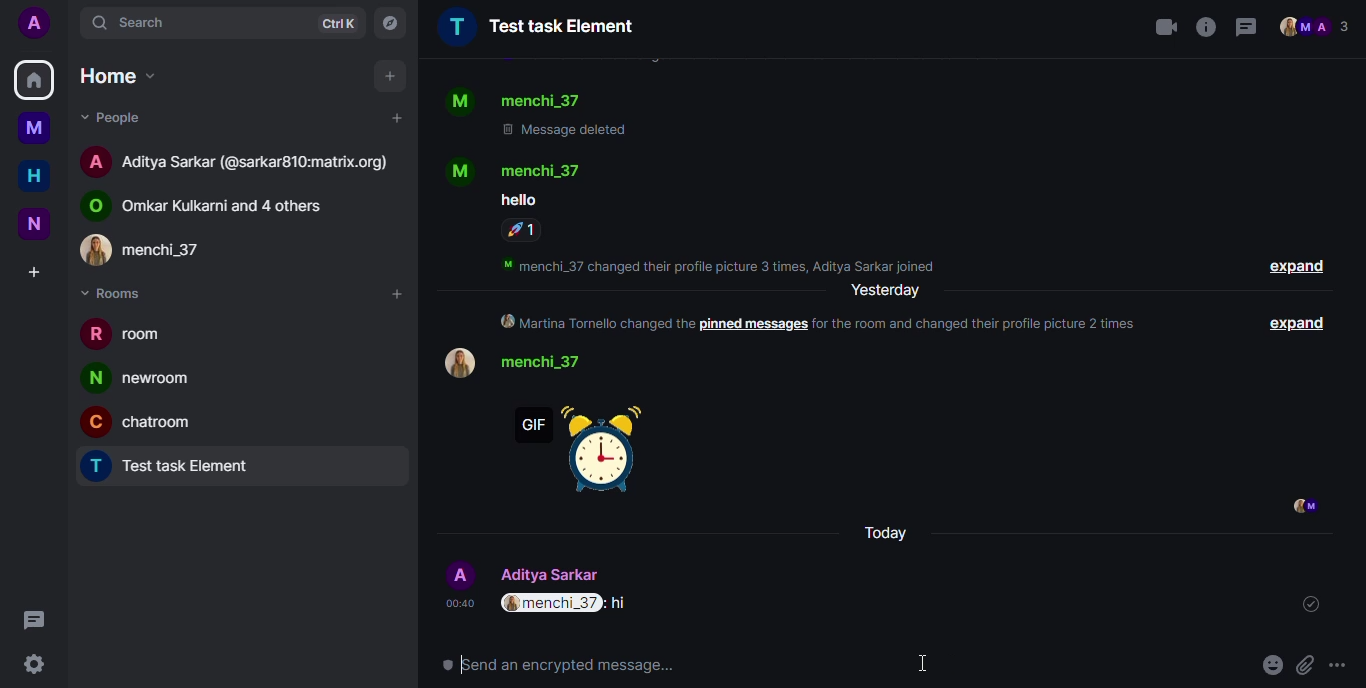  I want to click on chatroom, so click(146, 420).